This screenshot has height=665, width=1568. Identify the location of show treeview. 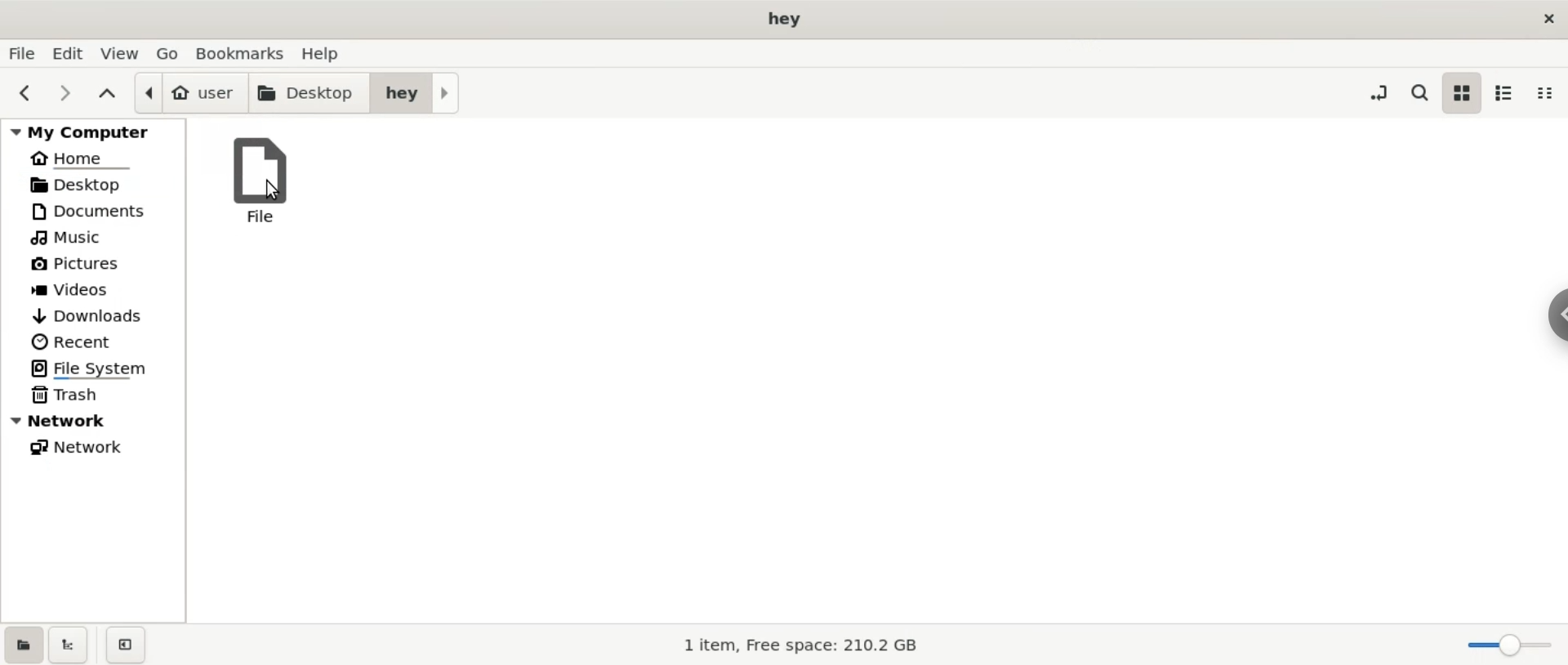
(72, 645).